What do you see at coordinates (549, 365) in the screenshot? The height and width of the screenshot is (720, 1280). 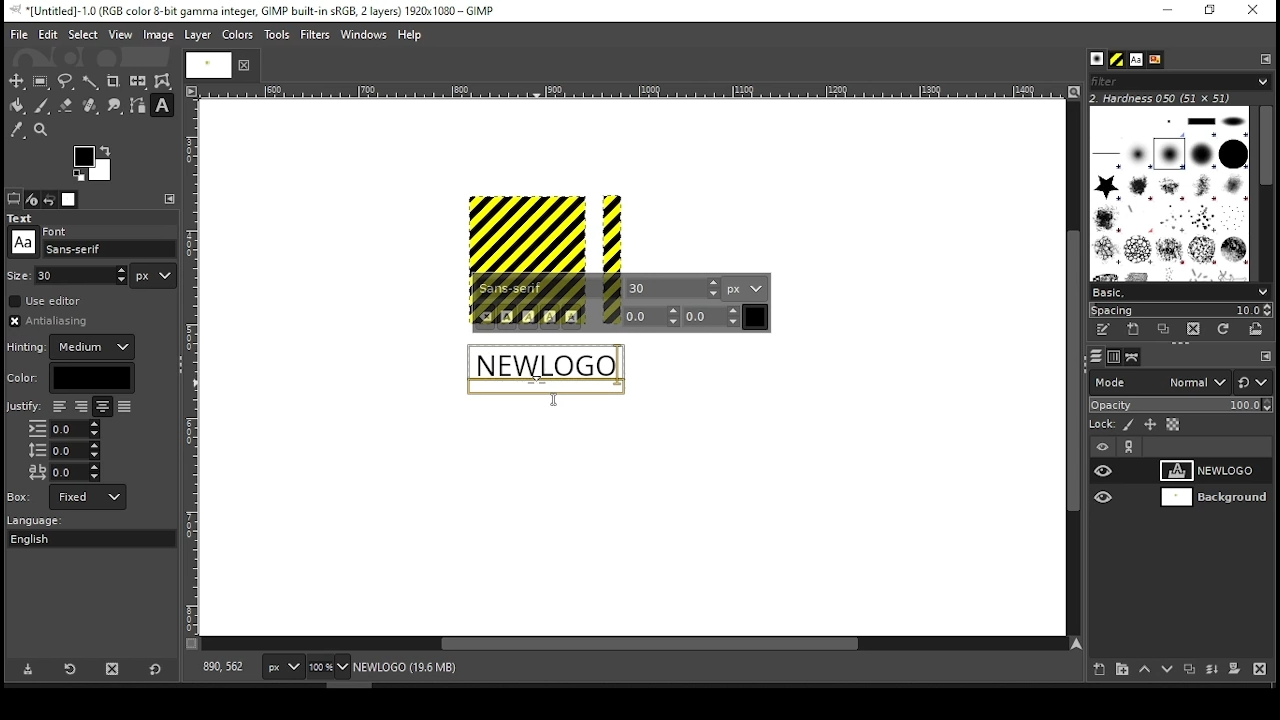 I see `text frame` at bounding box center [549, 365].